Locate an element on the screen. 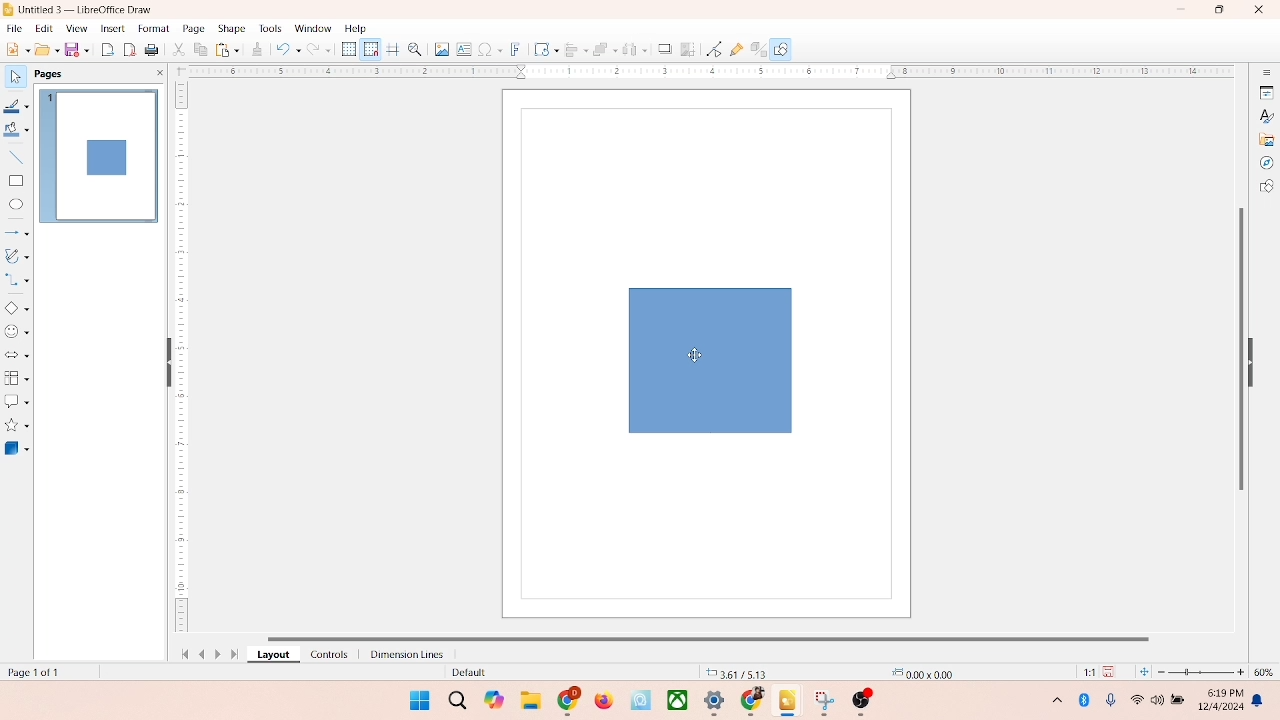  hide is located at coordinates (1256, 359).